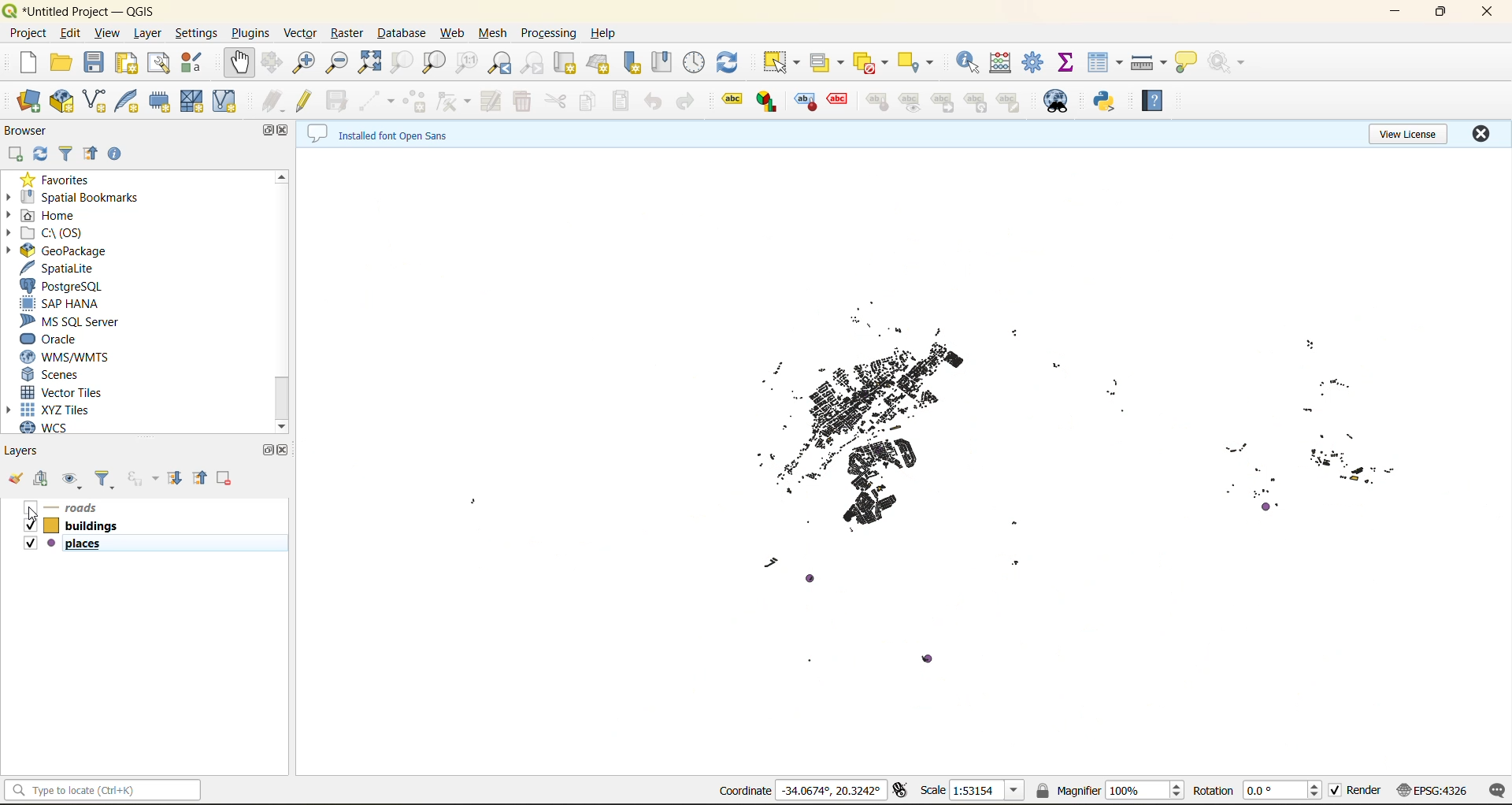 Image resolution: width=1512 pixels, height=805 pixels. Describe the element at coordinates (195, 65) in the screenshot. I see `style manager` at that location.